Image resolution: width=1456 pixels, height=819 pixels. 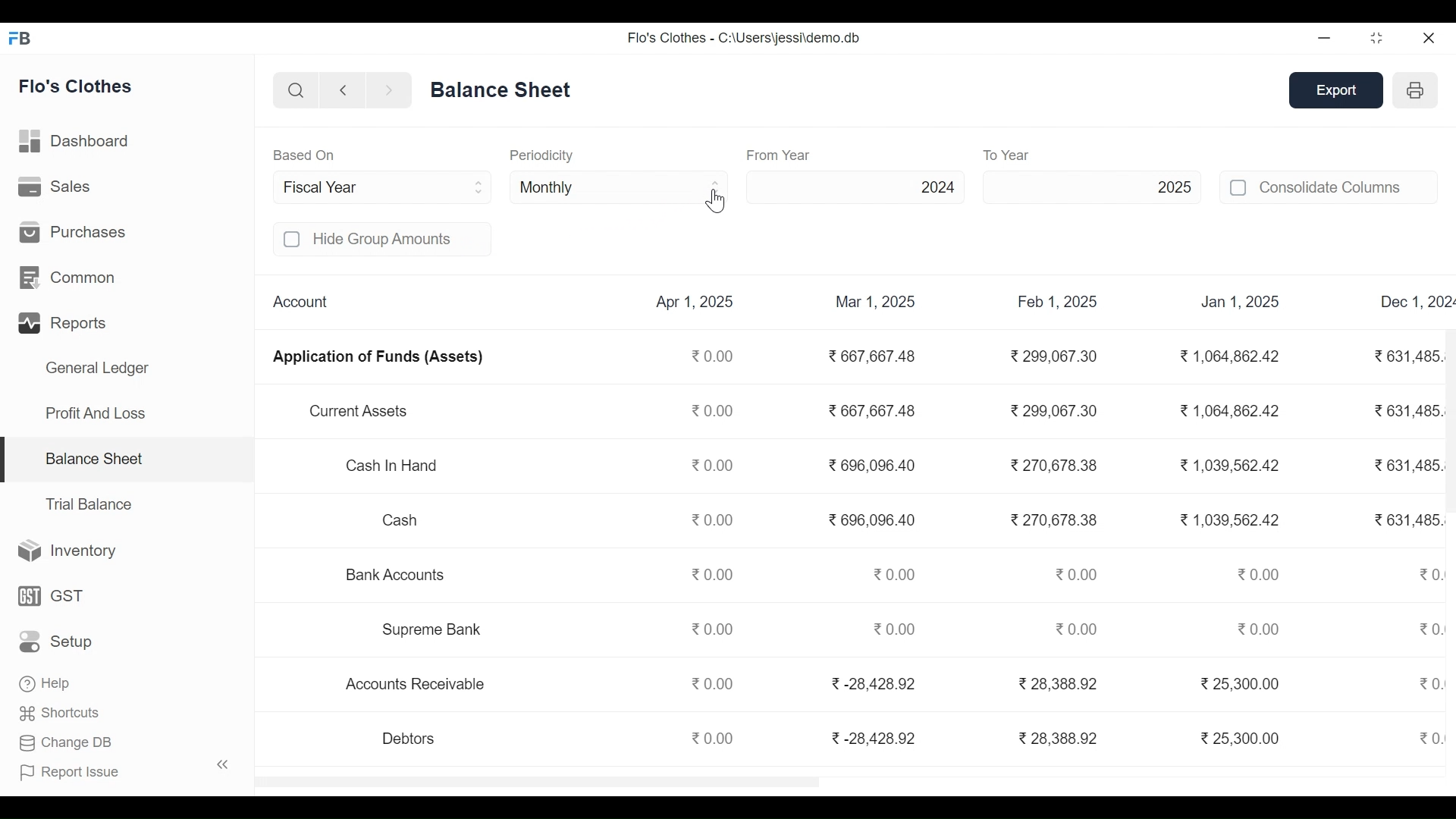 What do you see at coordinates (93, 457) in the screenshot?
I see `Balance Sheet` at bounding box center [93, 457].